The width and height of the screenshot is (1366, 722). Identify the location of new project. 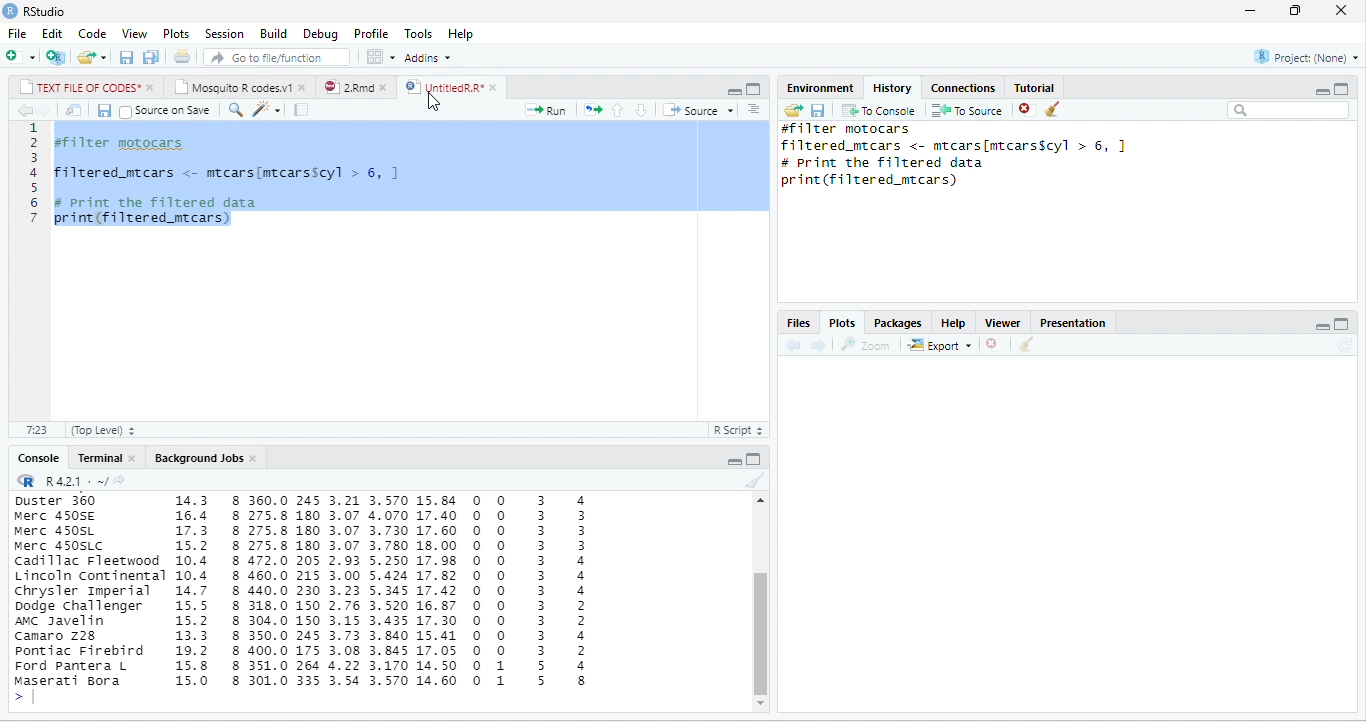
(55, 57).